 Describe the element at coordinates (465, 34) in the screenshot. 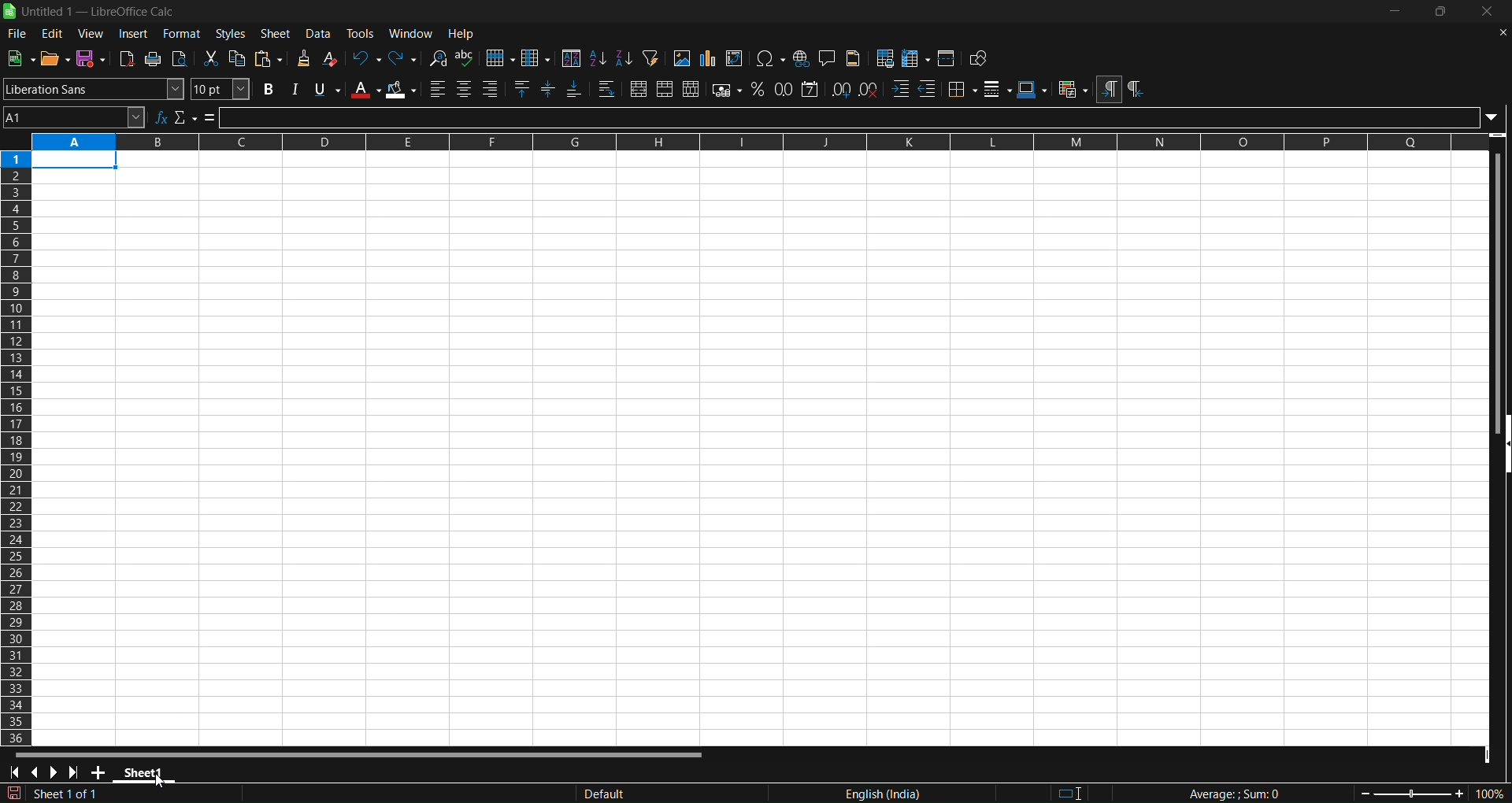

I see `help` at that location.